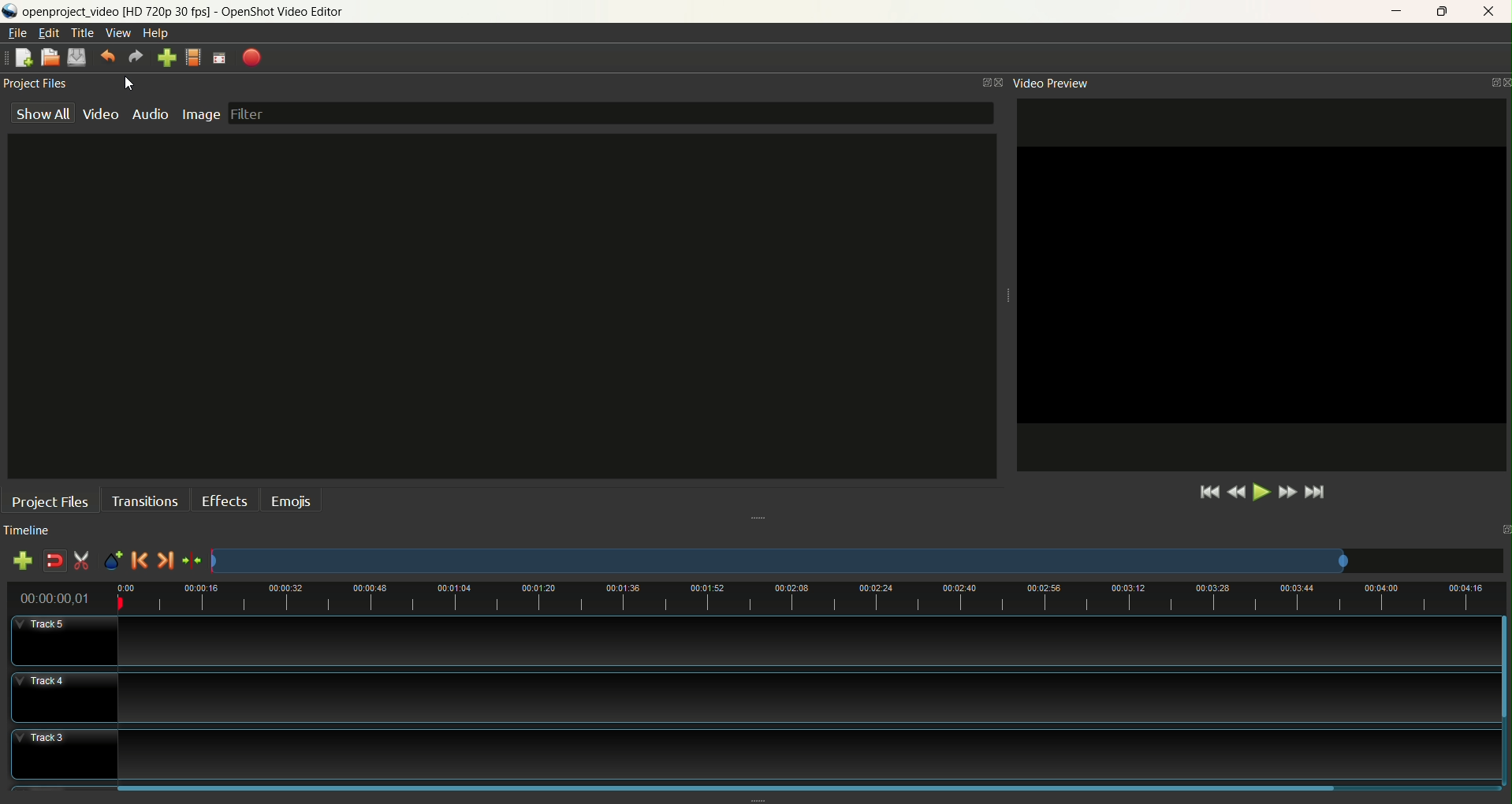 The width and height of the screenshot is (1512, 804). I want to click on track2, so click(757, 781).